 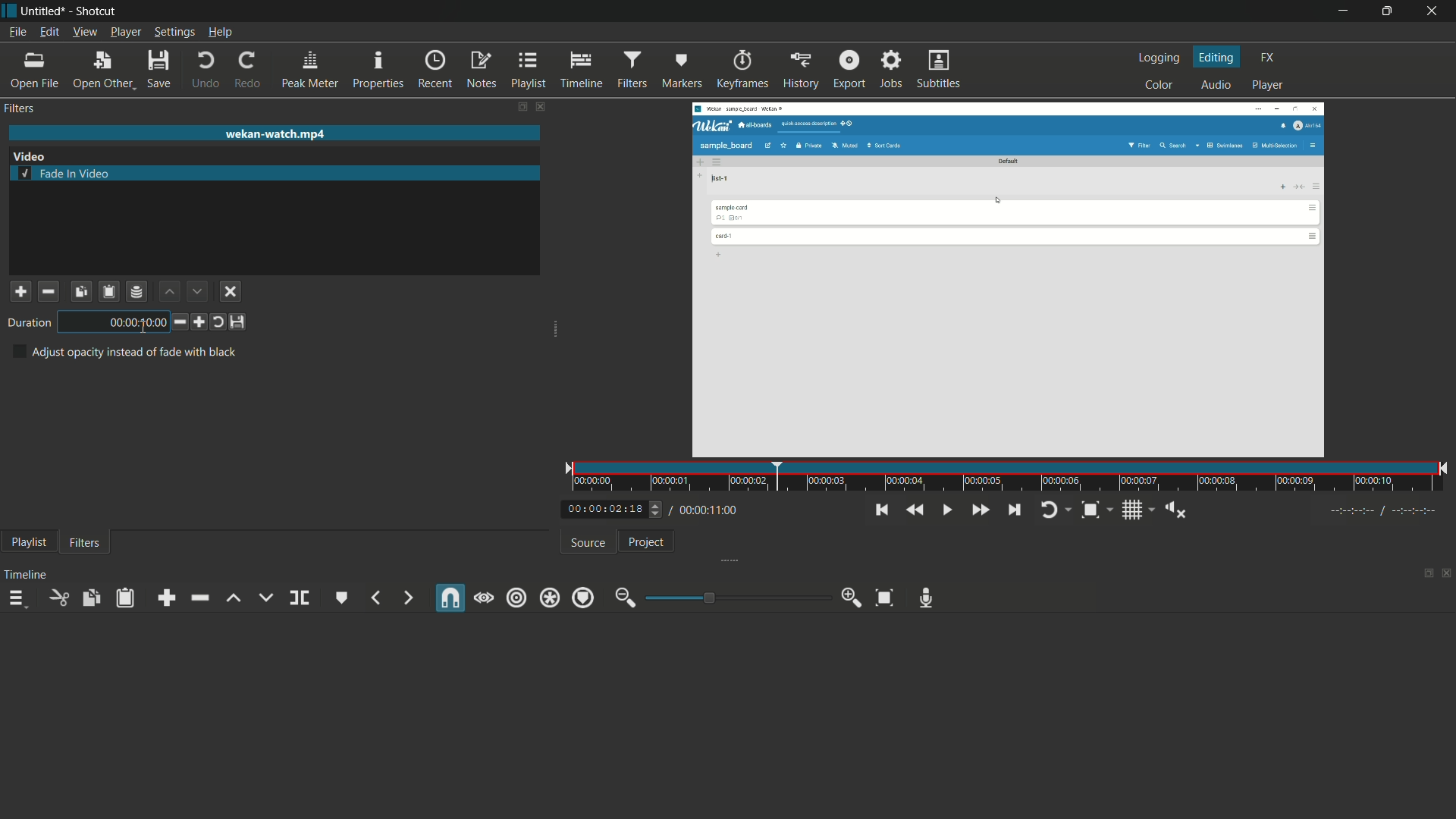 What do you see at coordinates (883, 510) in the screenshot?
I see `skip to the previous point` at bounding box center [883, 510].